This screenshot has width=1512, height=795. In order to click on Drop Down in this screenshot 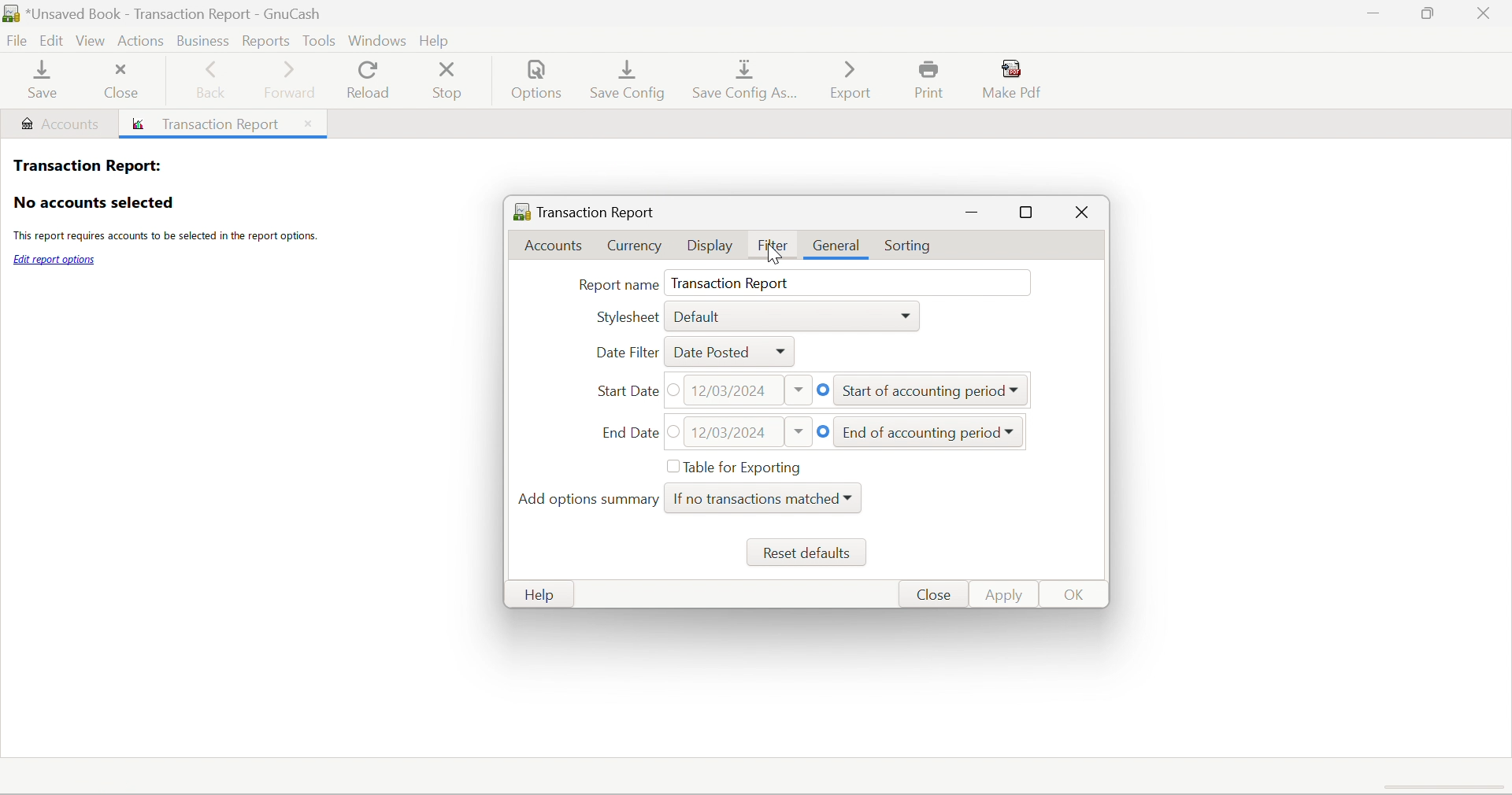, I will do `click(802, 391)`.